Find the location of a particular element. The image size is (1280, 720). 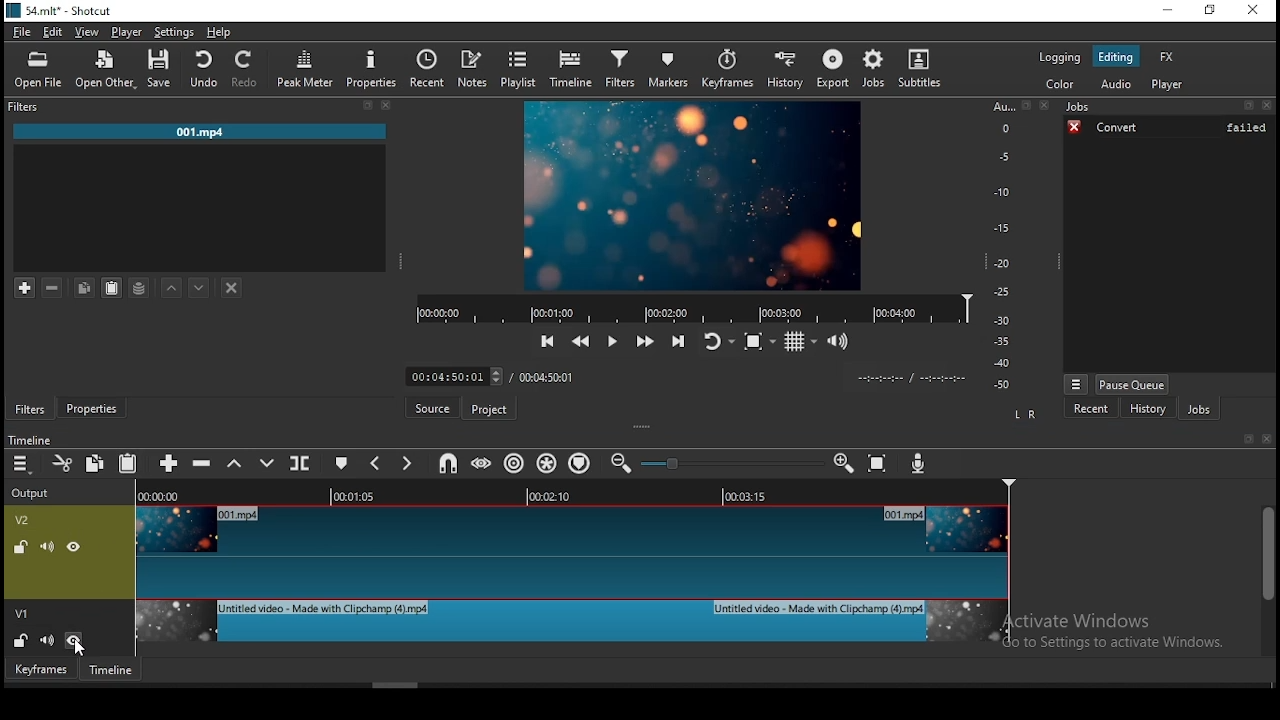

properties is located at coordinates (91, 407).